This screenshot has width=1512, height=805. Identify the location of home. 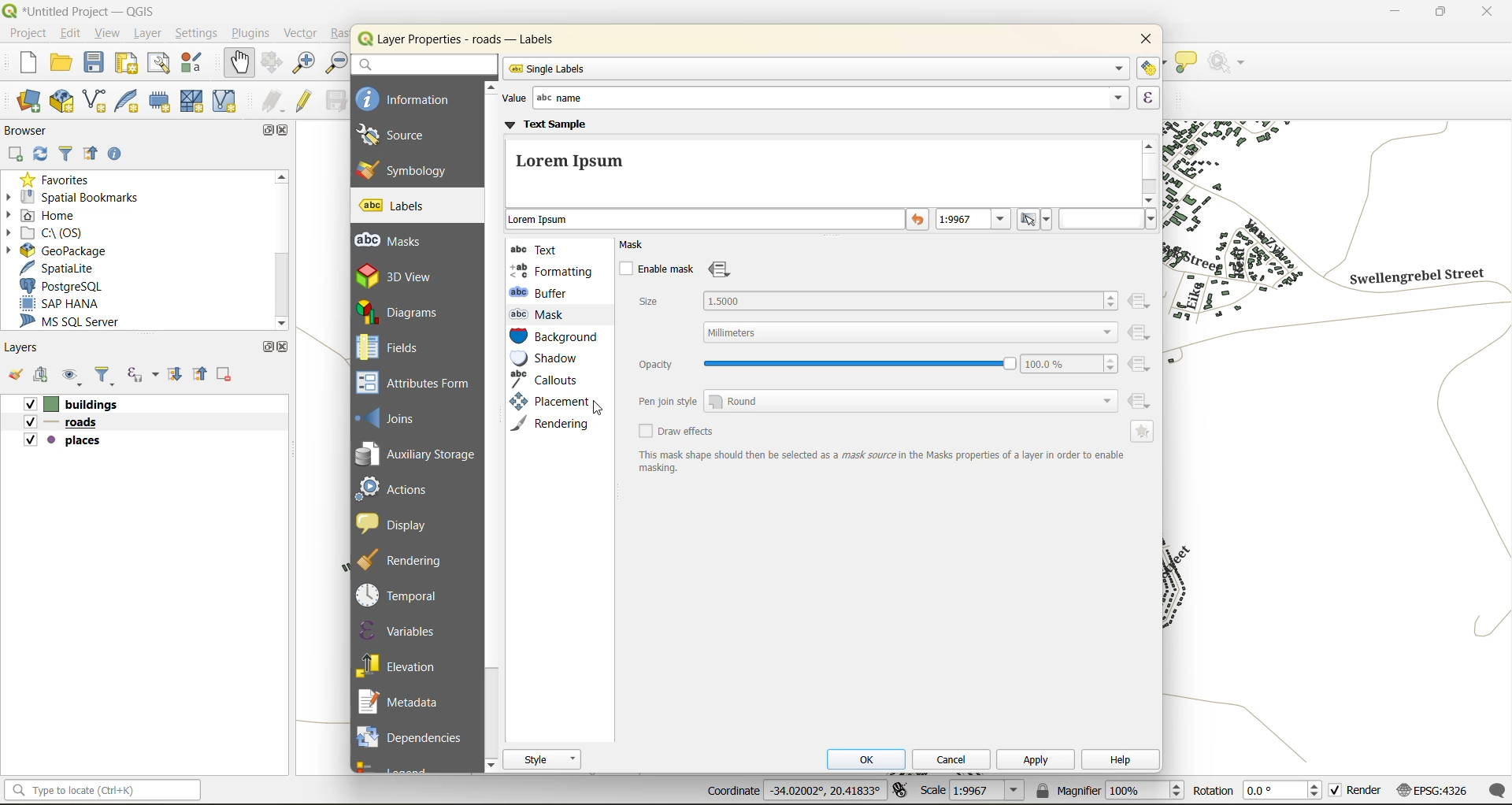
(50, 215).